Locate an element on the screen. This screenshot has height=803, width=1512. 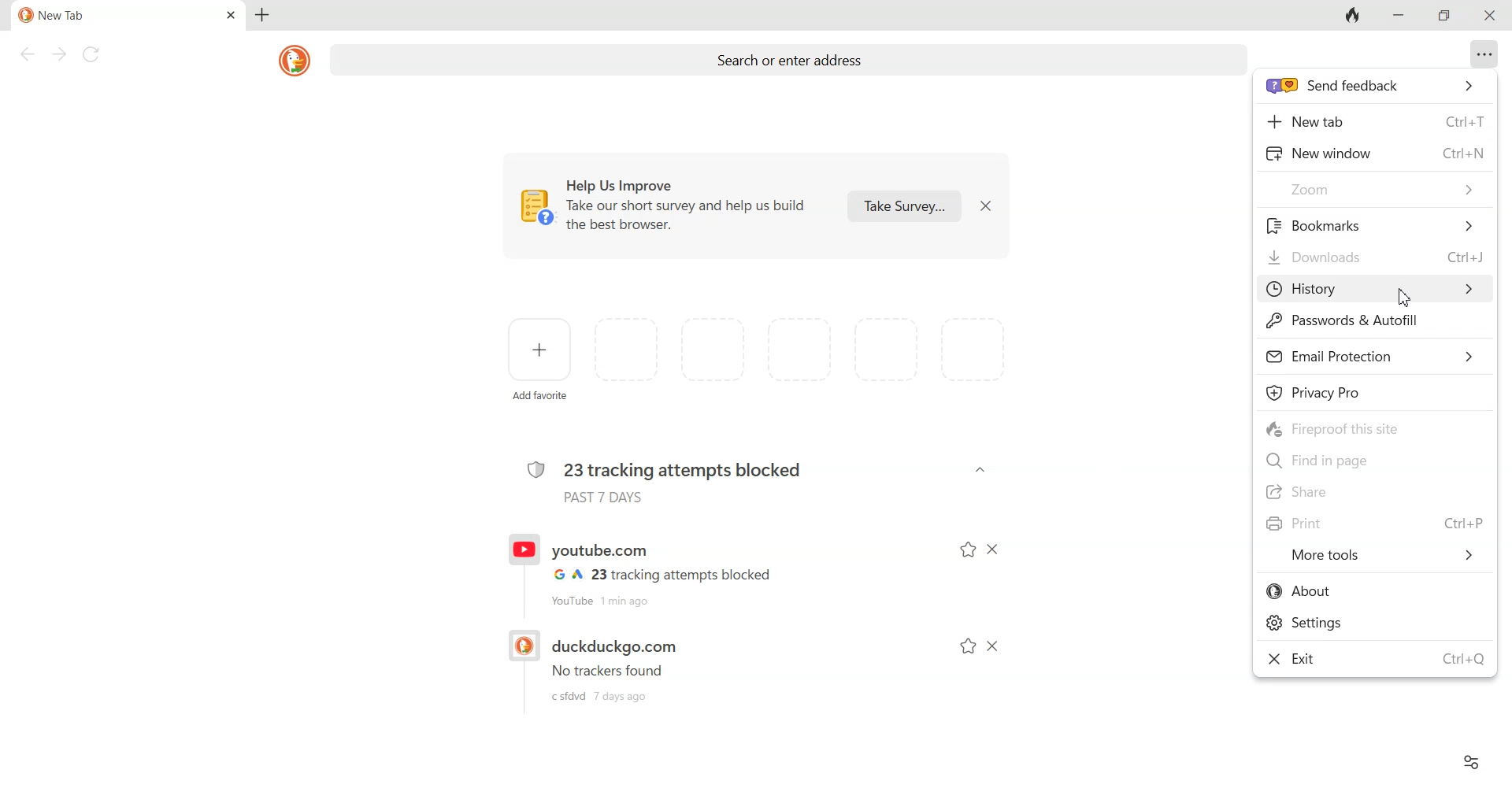
New tab is located at coordinates (1375, 122).